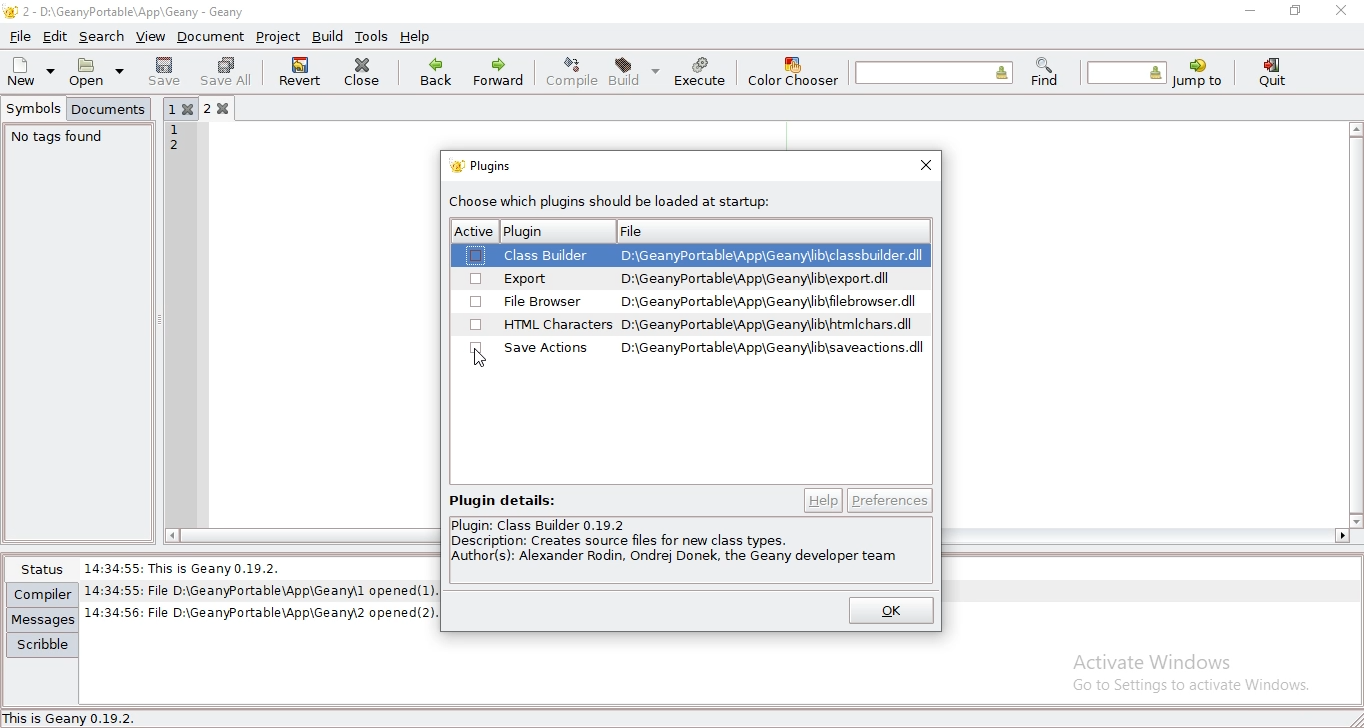  Describe the element at coordinates (211, 37) in the screenshot. I see `document` at that location.